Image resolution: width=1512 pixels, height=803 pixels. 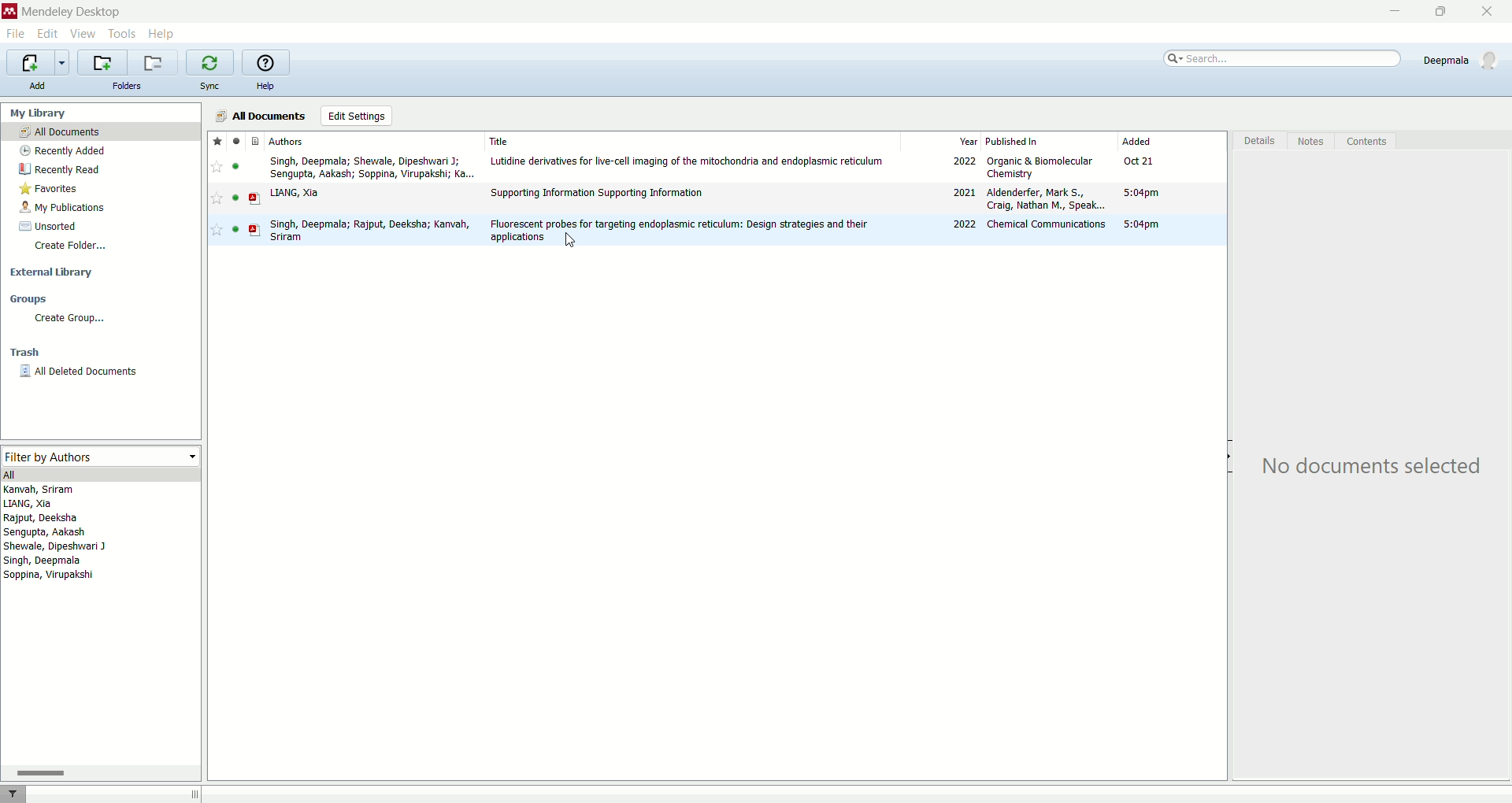 I want to click on online help guide for mendeley, so click(x=263, y=62).